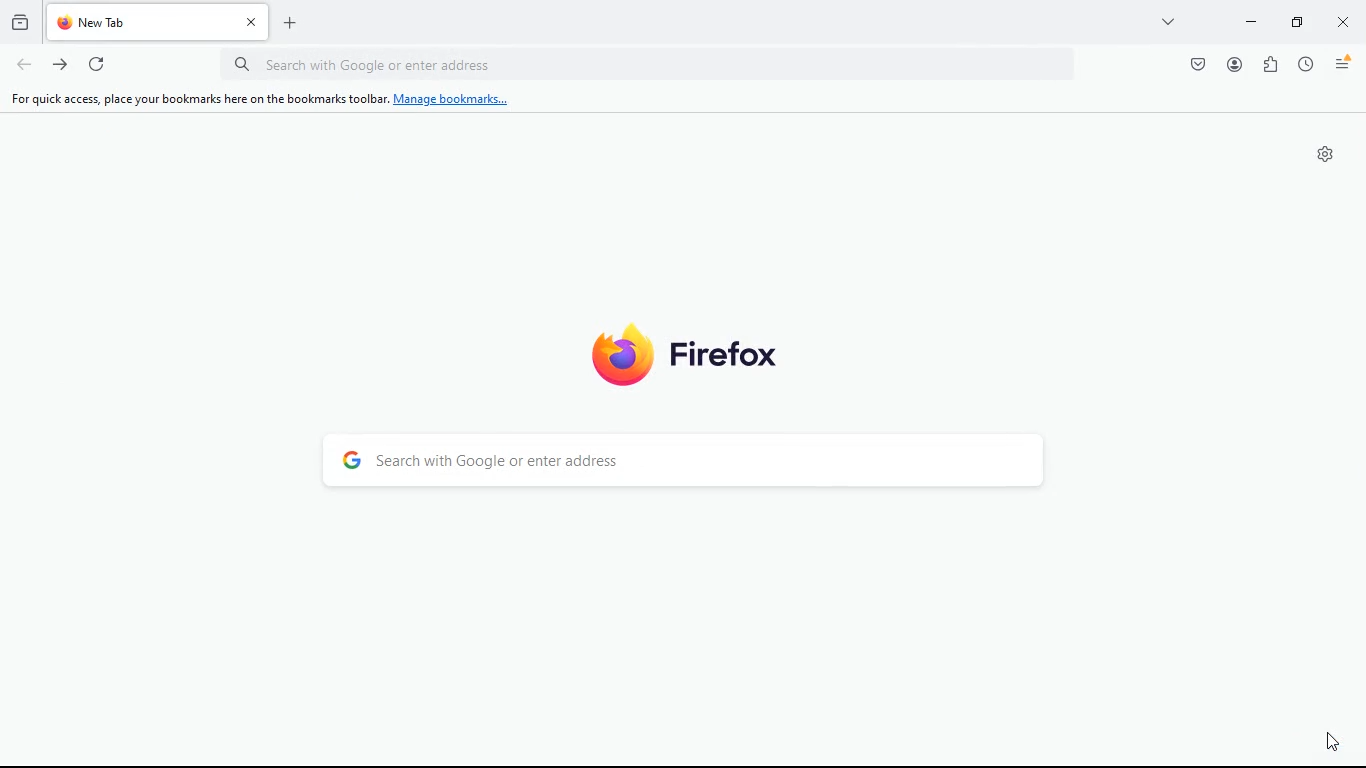 The image size is (1366, 768). Describe the element at coordinates (1294, 21) in the screenshot. I see `maximize` at that location.